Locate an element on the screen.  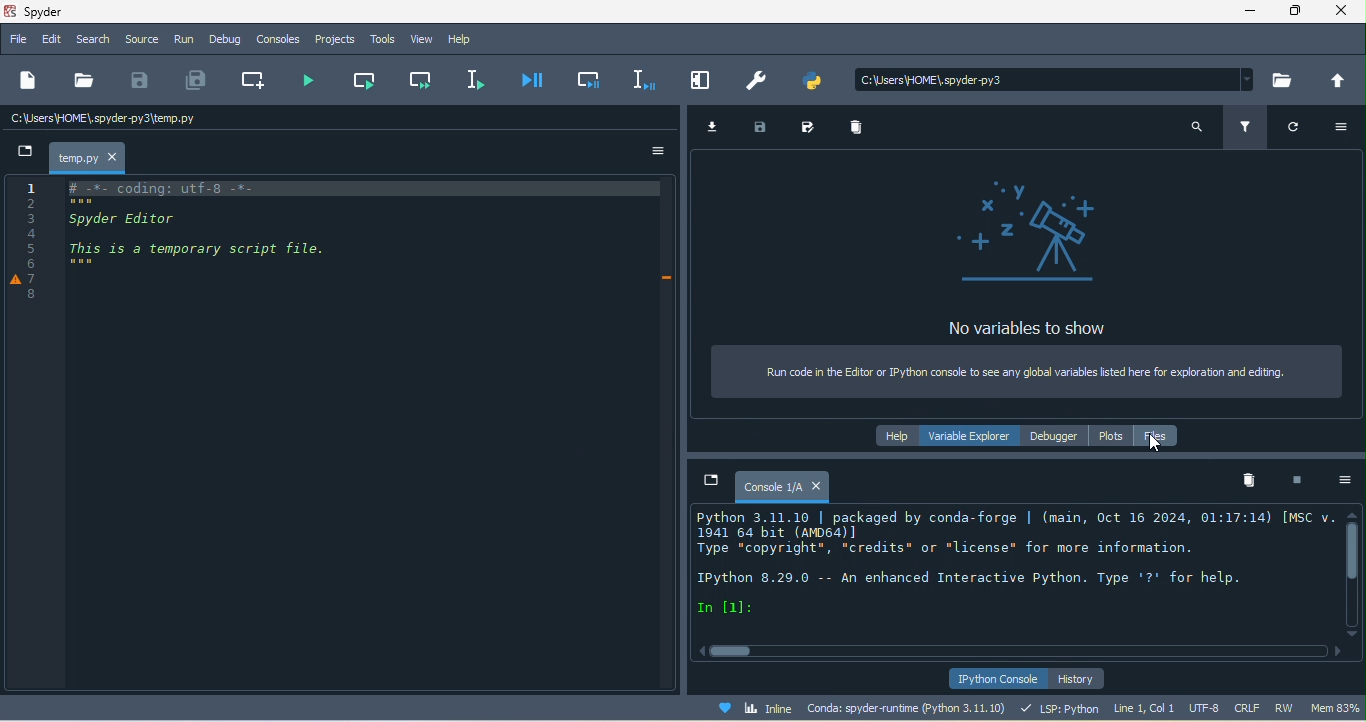
maximize is located at coordinates (1291, 12).